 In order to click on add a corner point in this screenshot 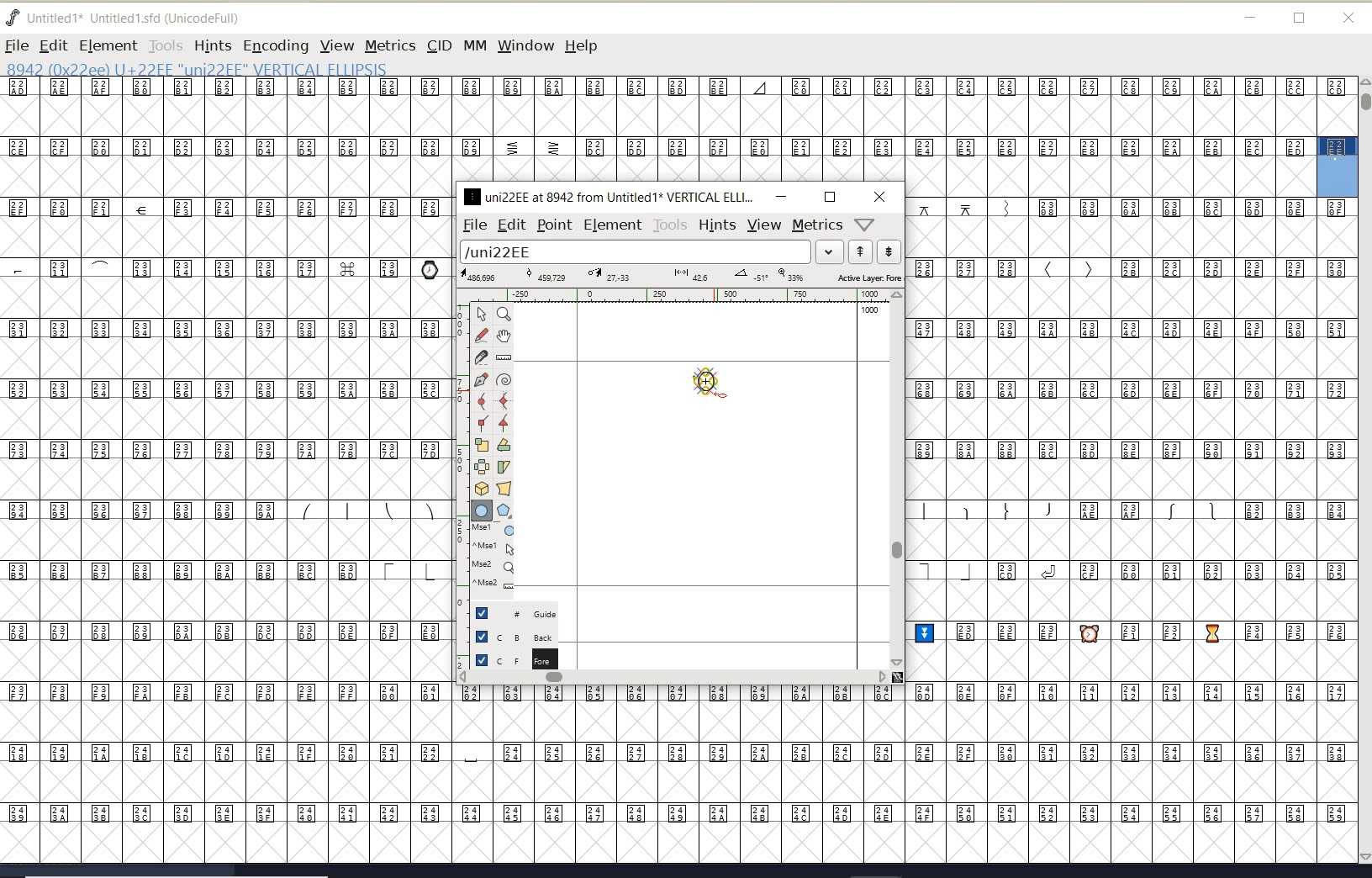, I will do `click(483, 422)`.